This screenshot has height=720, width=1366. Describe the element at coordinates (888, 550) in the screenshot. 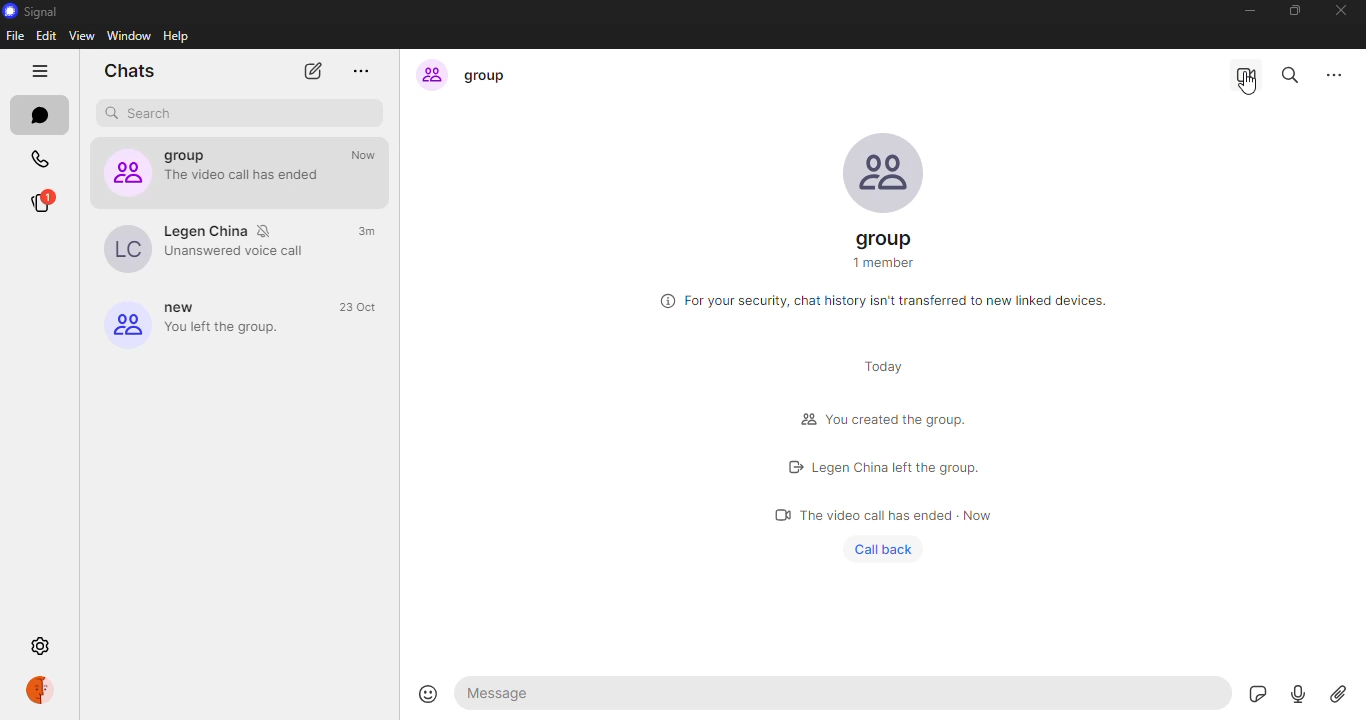

I see `call back` at that location.